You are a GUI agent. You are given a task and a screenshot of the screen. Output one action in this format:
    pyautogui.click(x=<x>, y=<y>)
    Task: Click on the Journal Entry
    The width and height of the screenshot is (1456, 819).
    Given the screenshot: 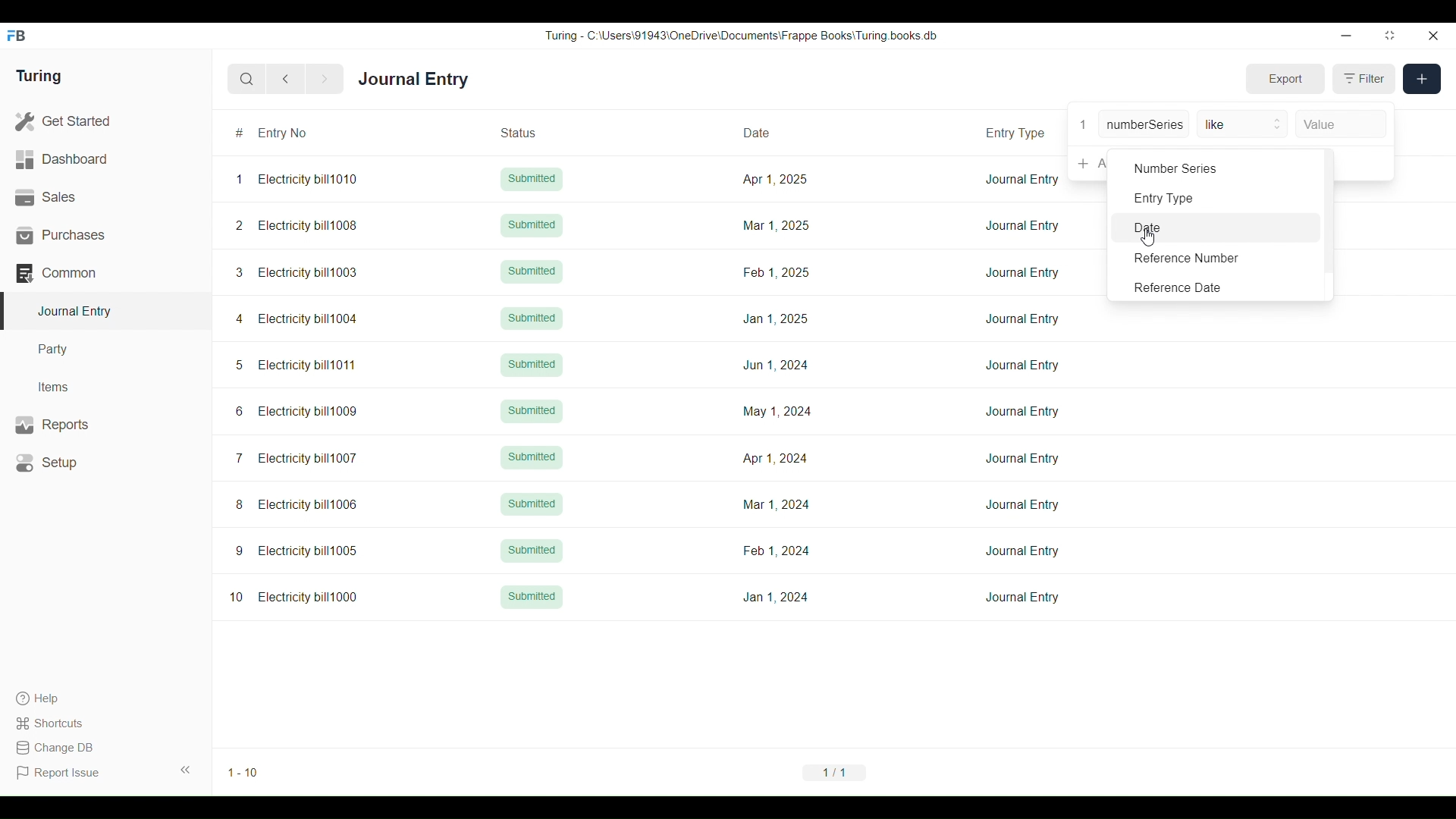 What is the action you would take?
    pyautogui.click(x=1021, y=598)
    